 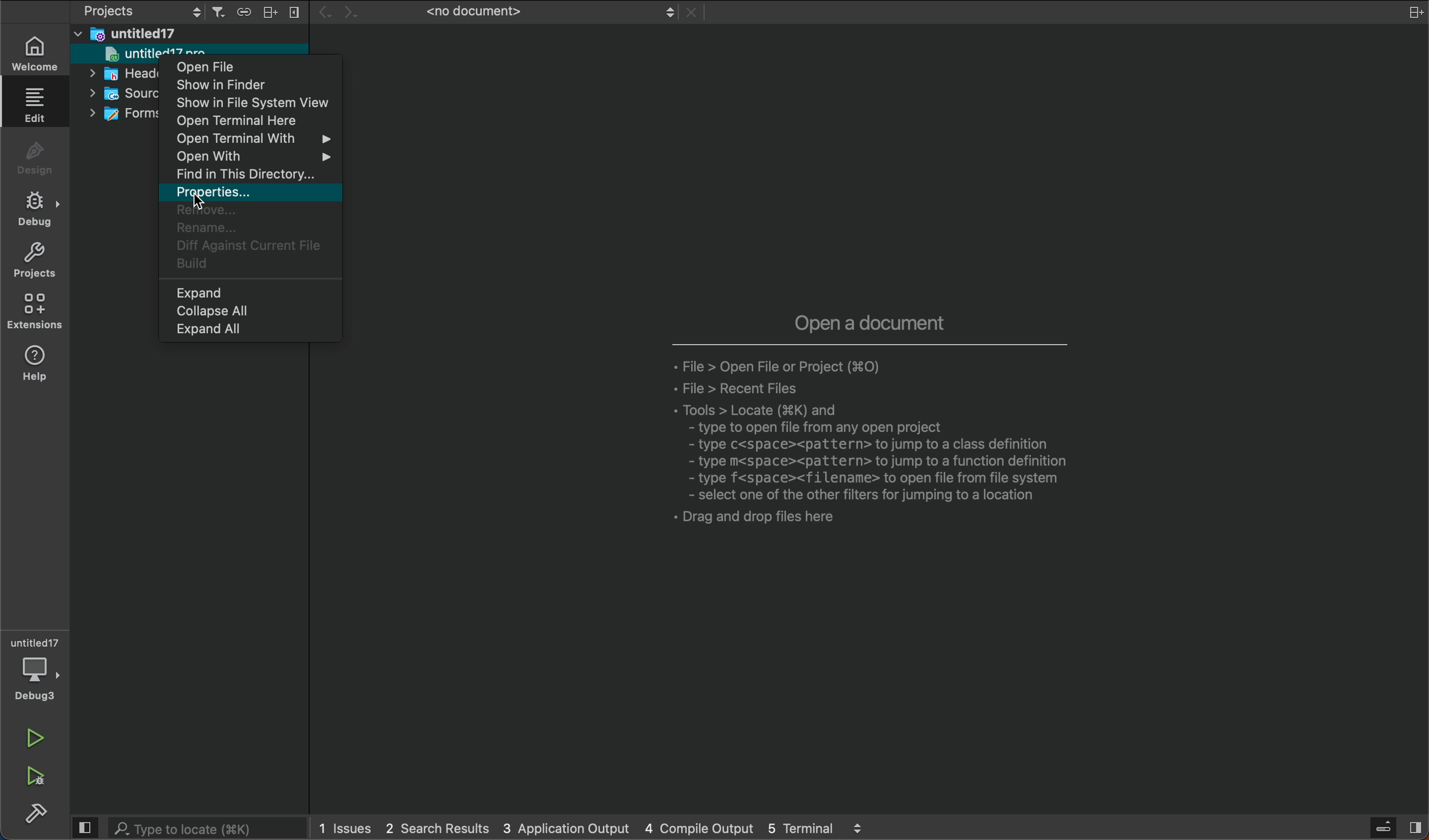 I want to click on untitled 17, so click(x=137, y=34).